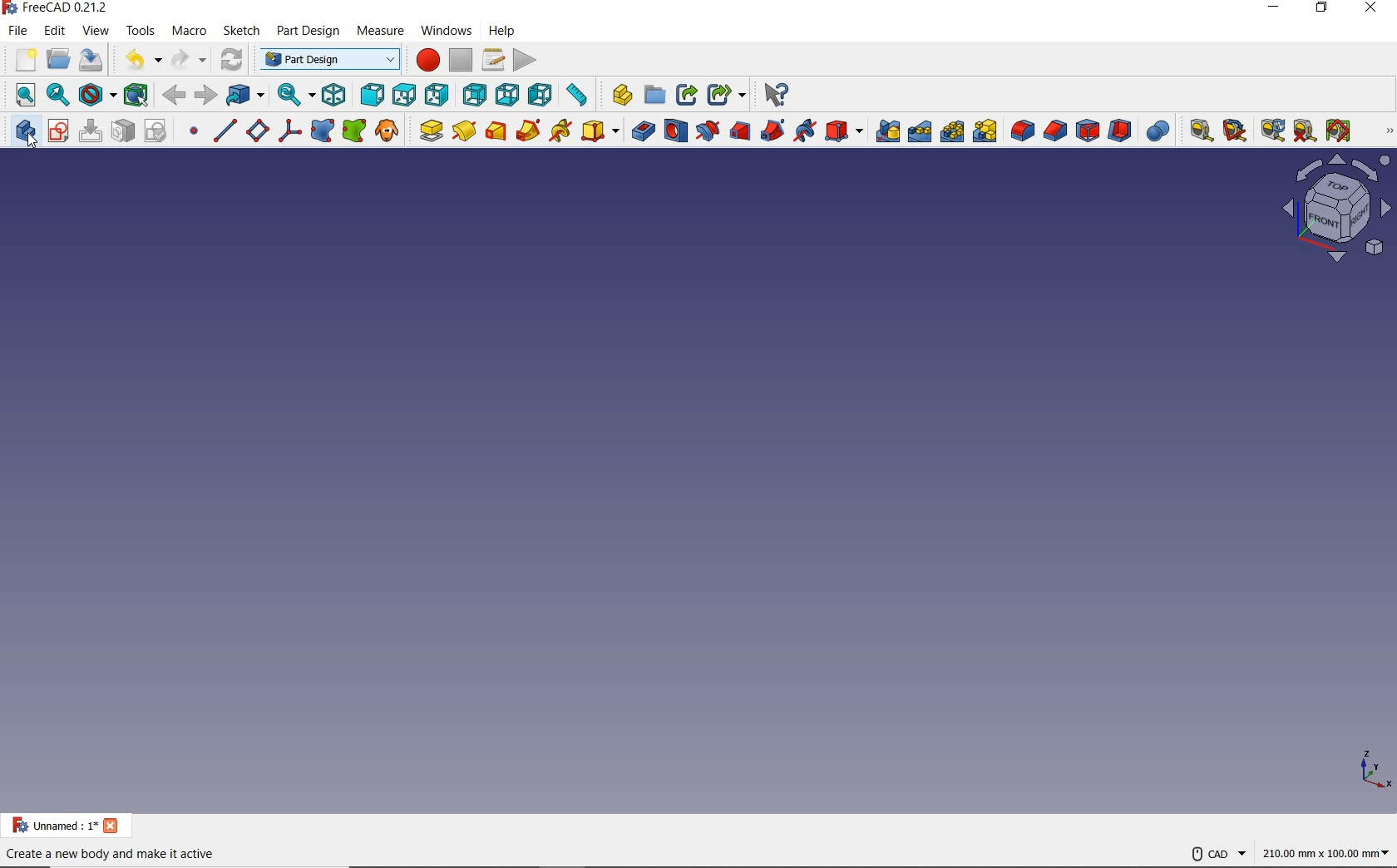 The width and height of the screenshot is (1397, 868). I want to click on go to linked object , so click(244, 95).